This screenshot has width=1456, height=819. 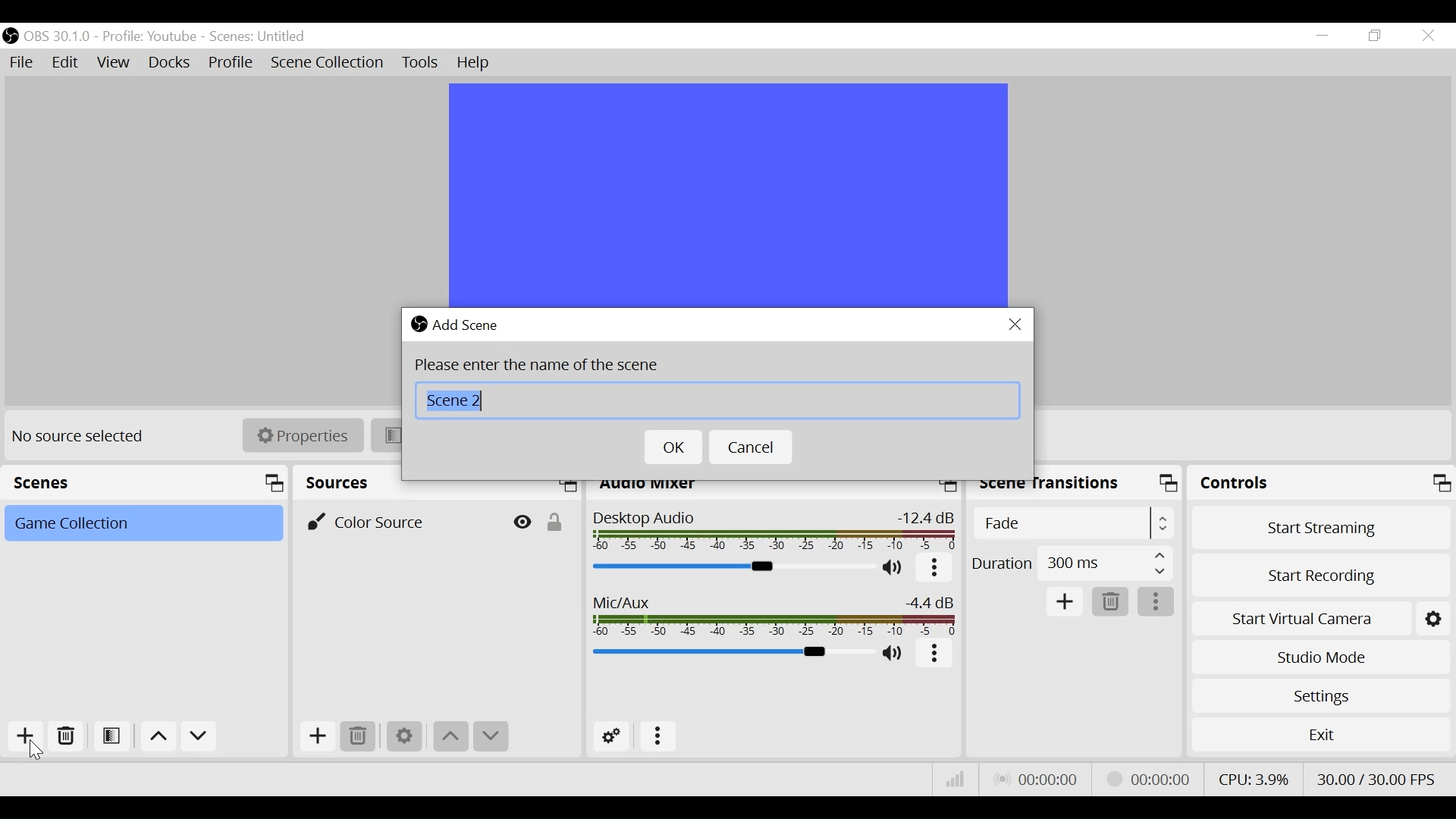 What do you see at coordinates (471, 322) in the screenshot?
I see `Add Scene` at bounding box center [471, 322].